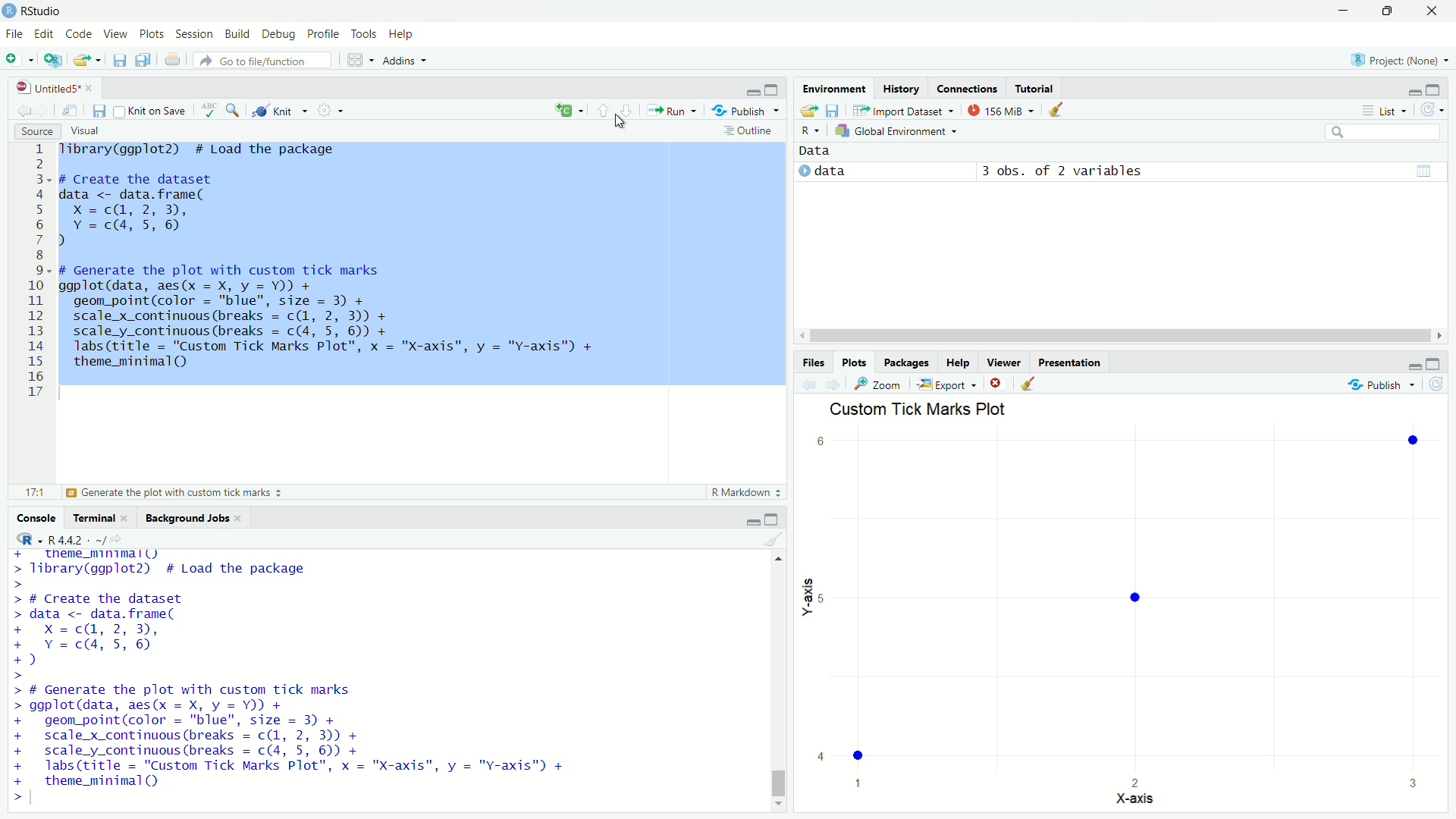 This screenshot has width=1456, height=819. What do you see at coordinates (773, 89) in the screenshot?
I see `maximize` at bounding box center [773, 89].